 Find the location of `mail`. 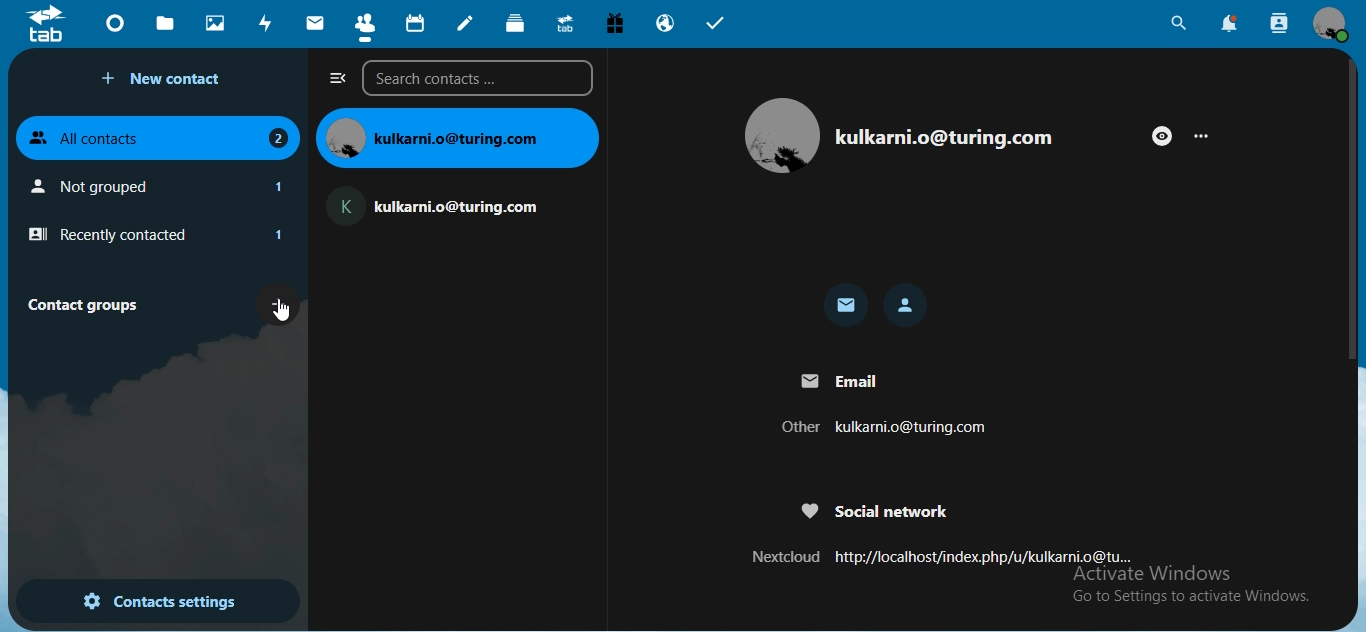

mail is located at coordinates (847, 307).